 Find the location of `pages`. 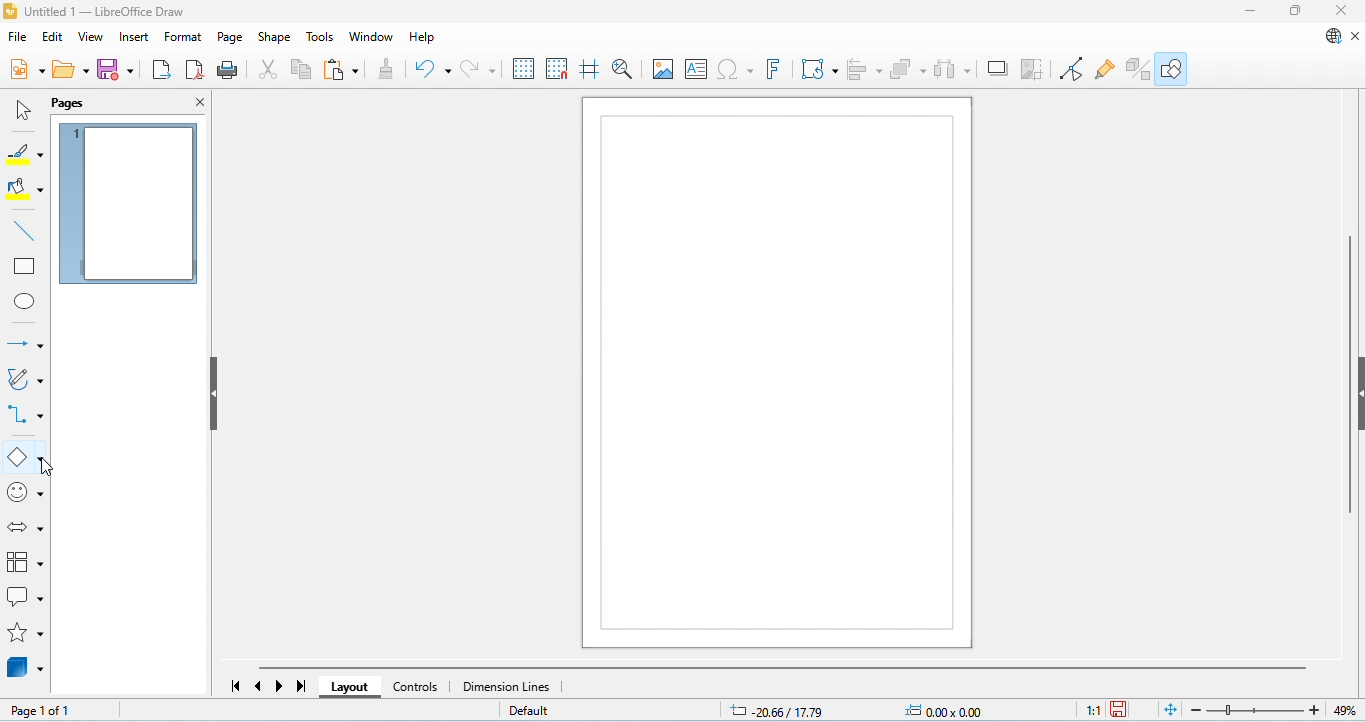

pages is located at coordinates (69, 104).